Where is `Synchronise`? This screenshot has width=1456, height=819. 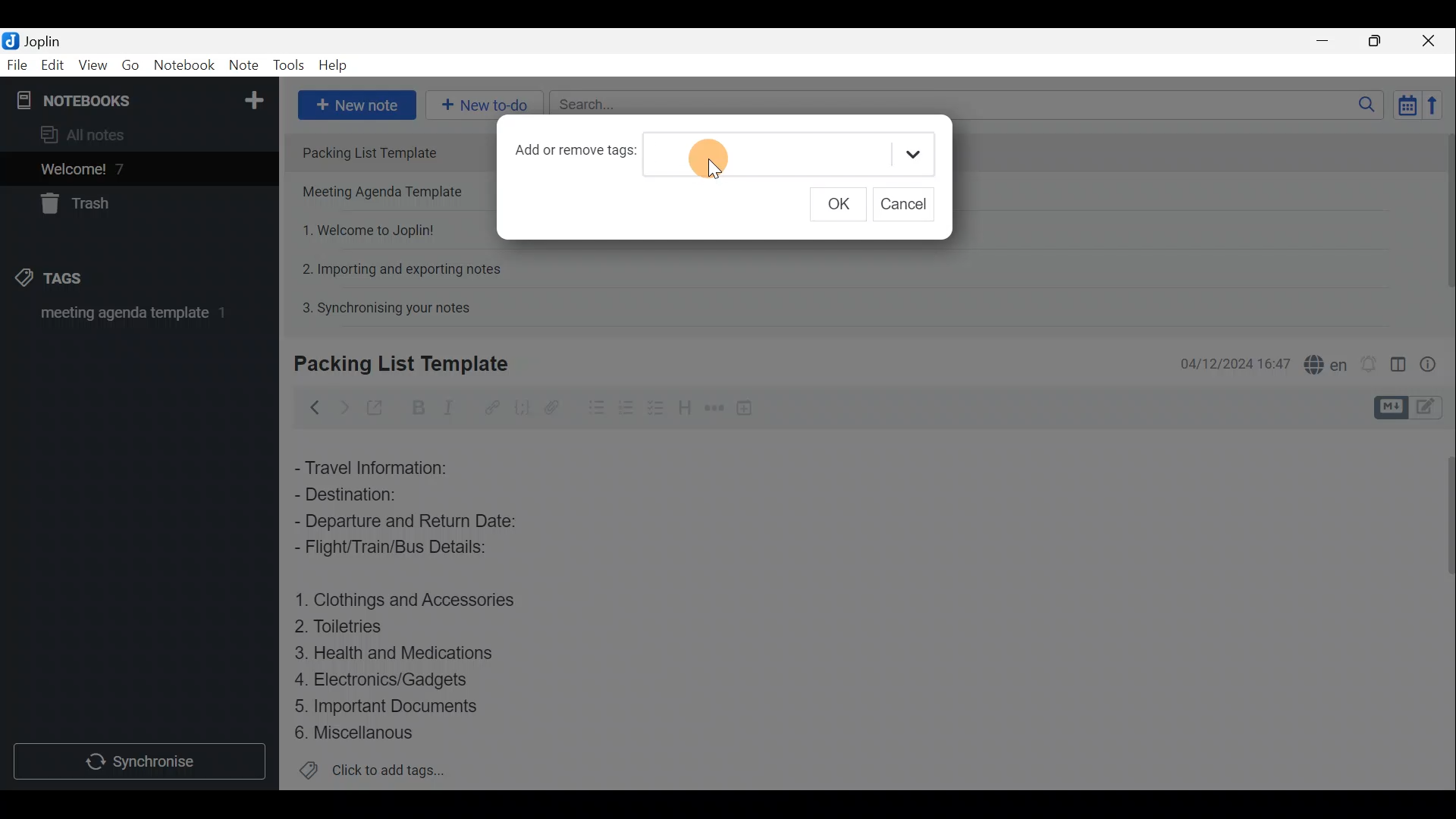
Synchronise is located at coordinates (142, 764).